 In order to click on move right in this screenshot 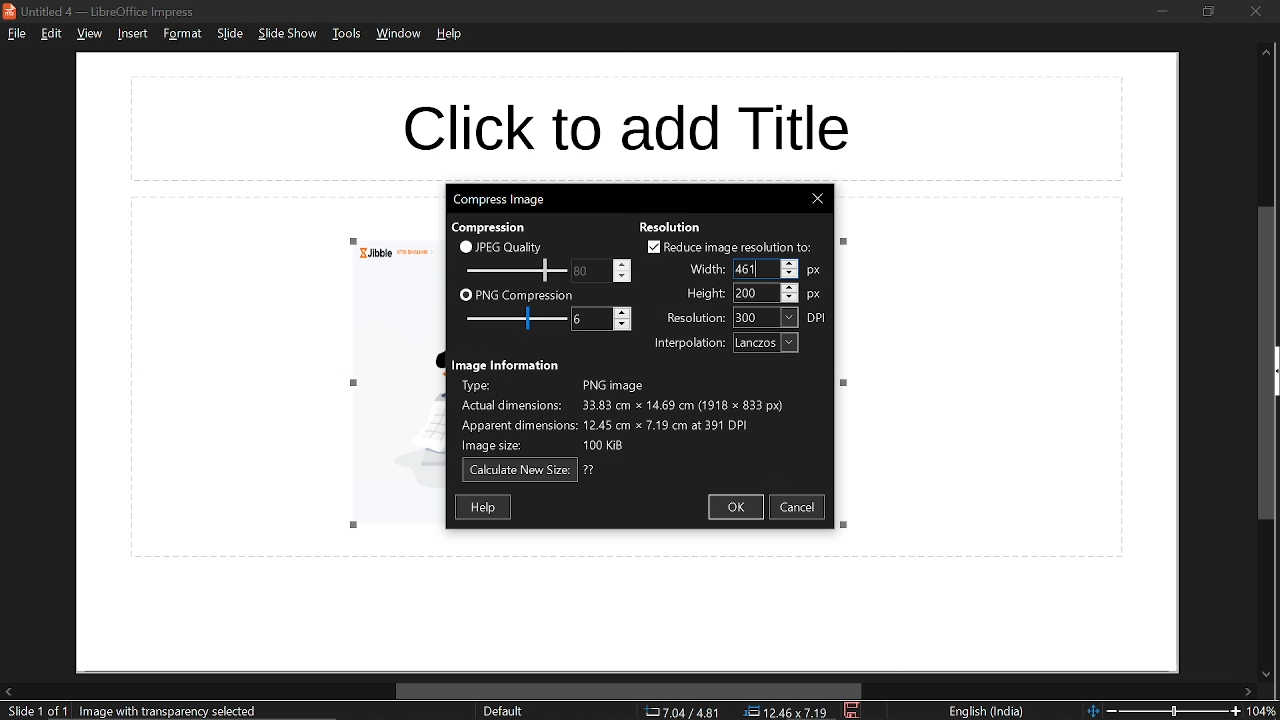, I will do `click(1249, 691)`.